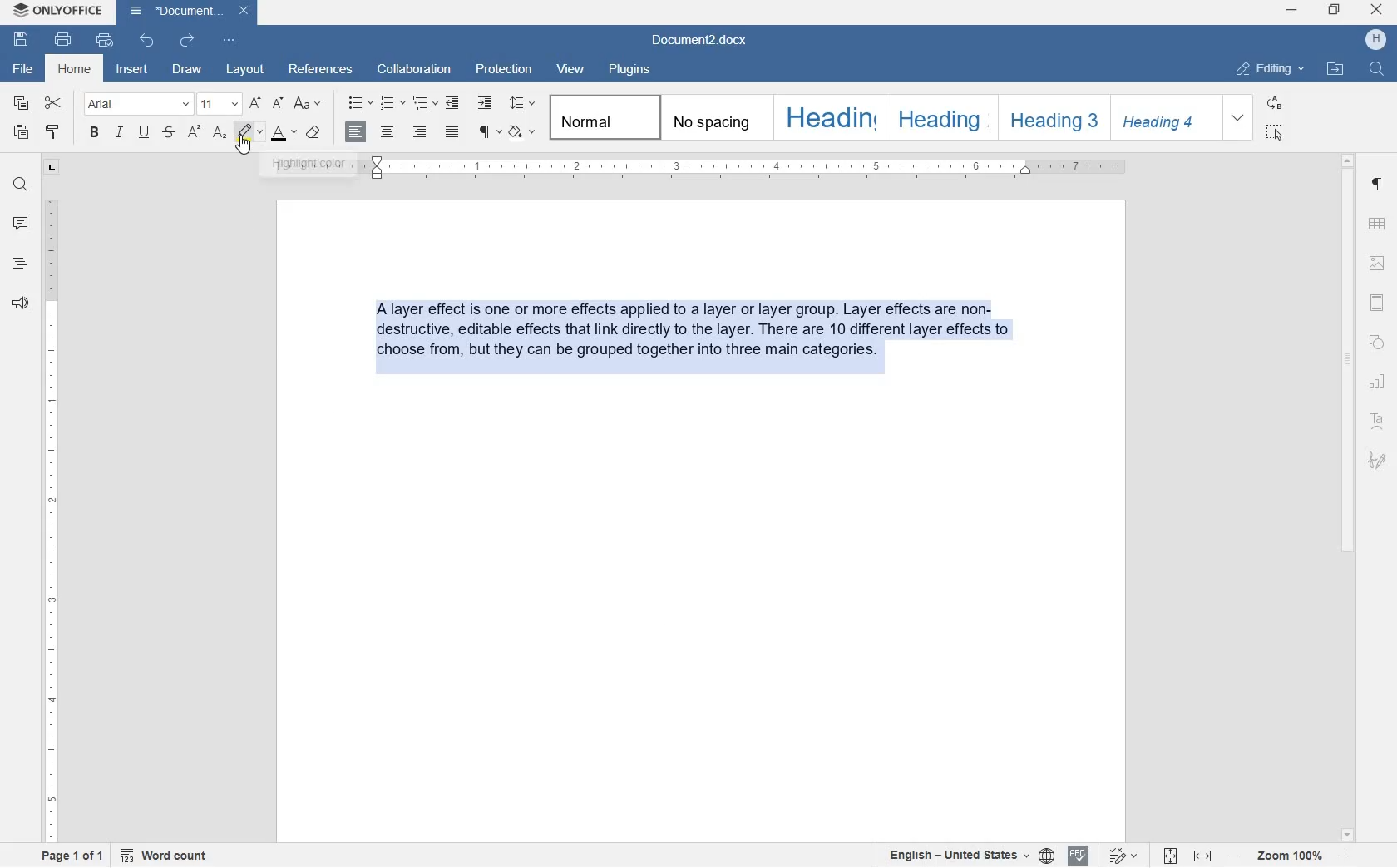 The height and width of the screenshot is (868, 1397). What do you see at coordinates (284, 136) in the screenshot?
I see `FONT COLOR` at bounding box center [284, 136].